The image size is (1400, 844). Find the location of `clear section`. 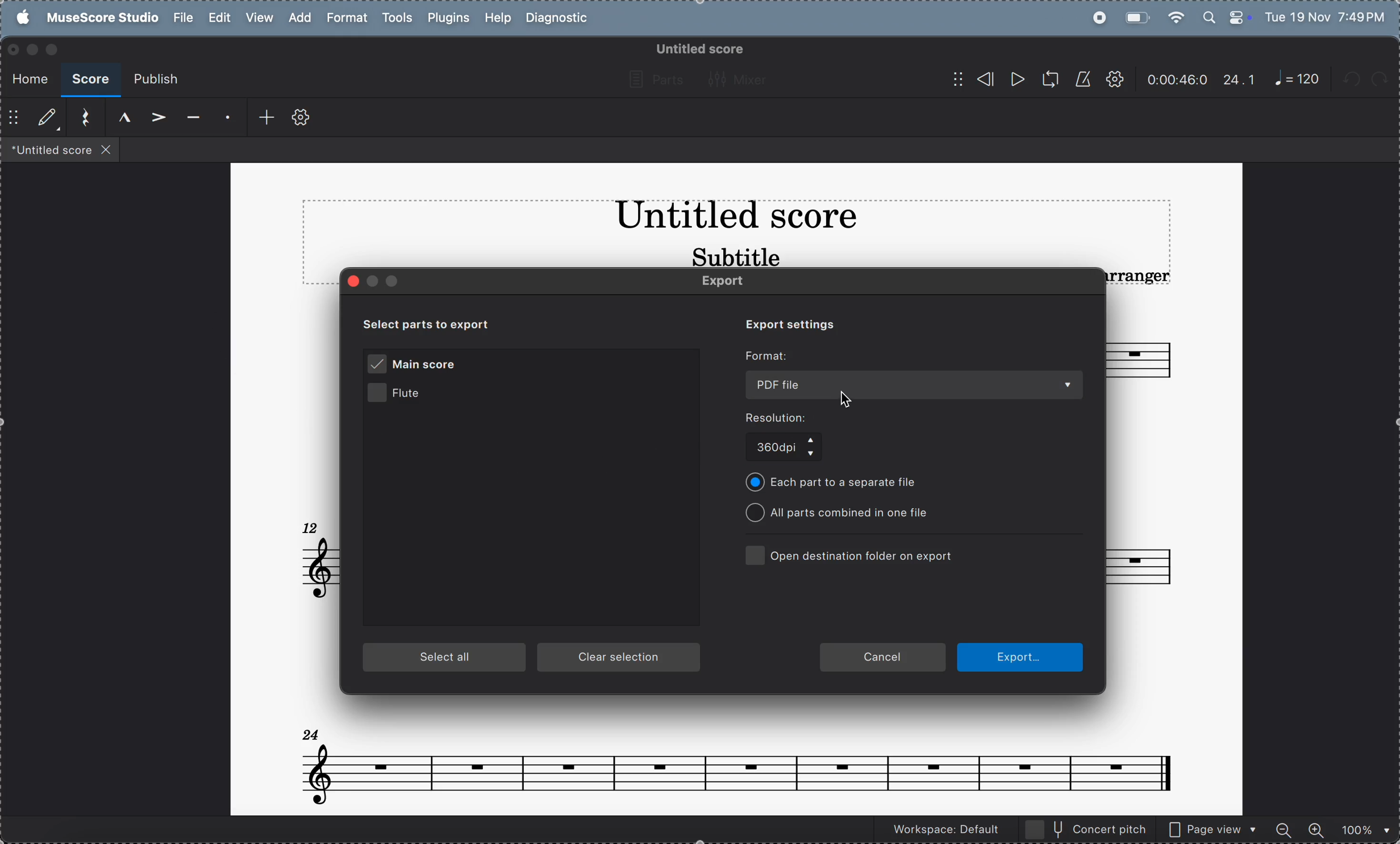

clear section is located at coordinates (620, 658).